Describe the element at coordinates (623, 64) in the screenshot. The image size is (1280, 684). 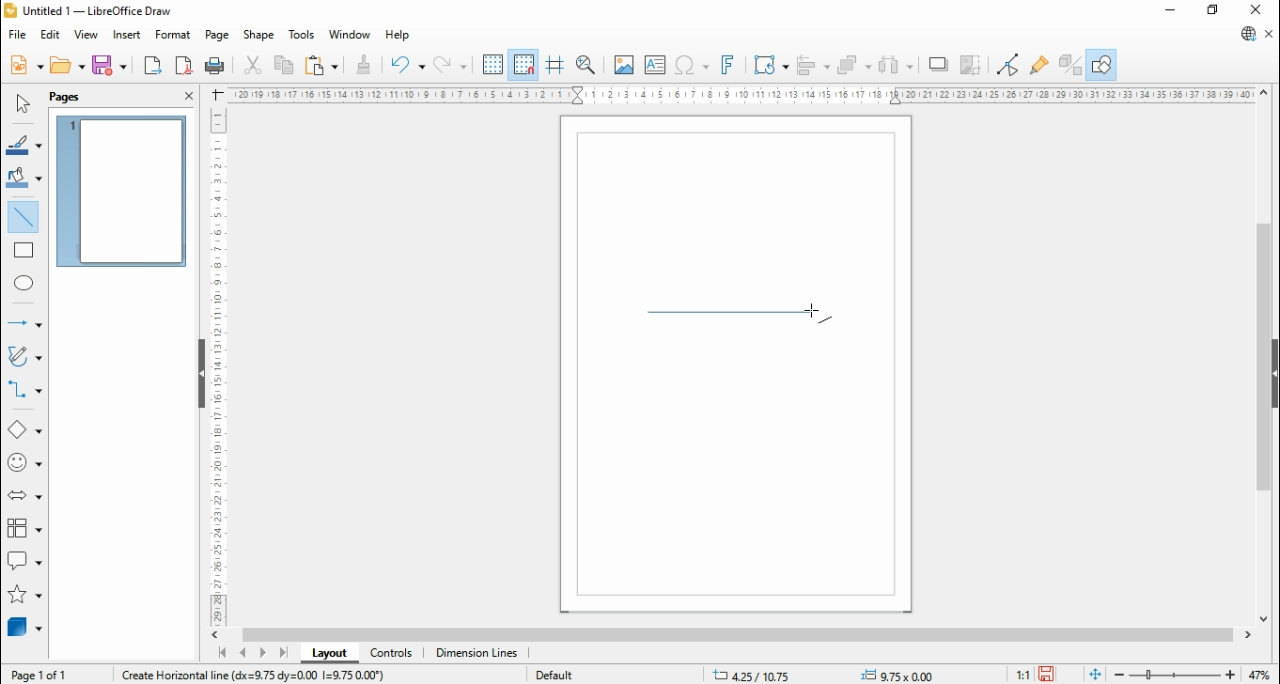
I see `insert image` at that location.